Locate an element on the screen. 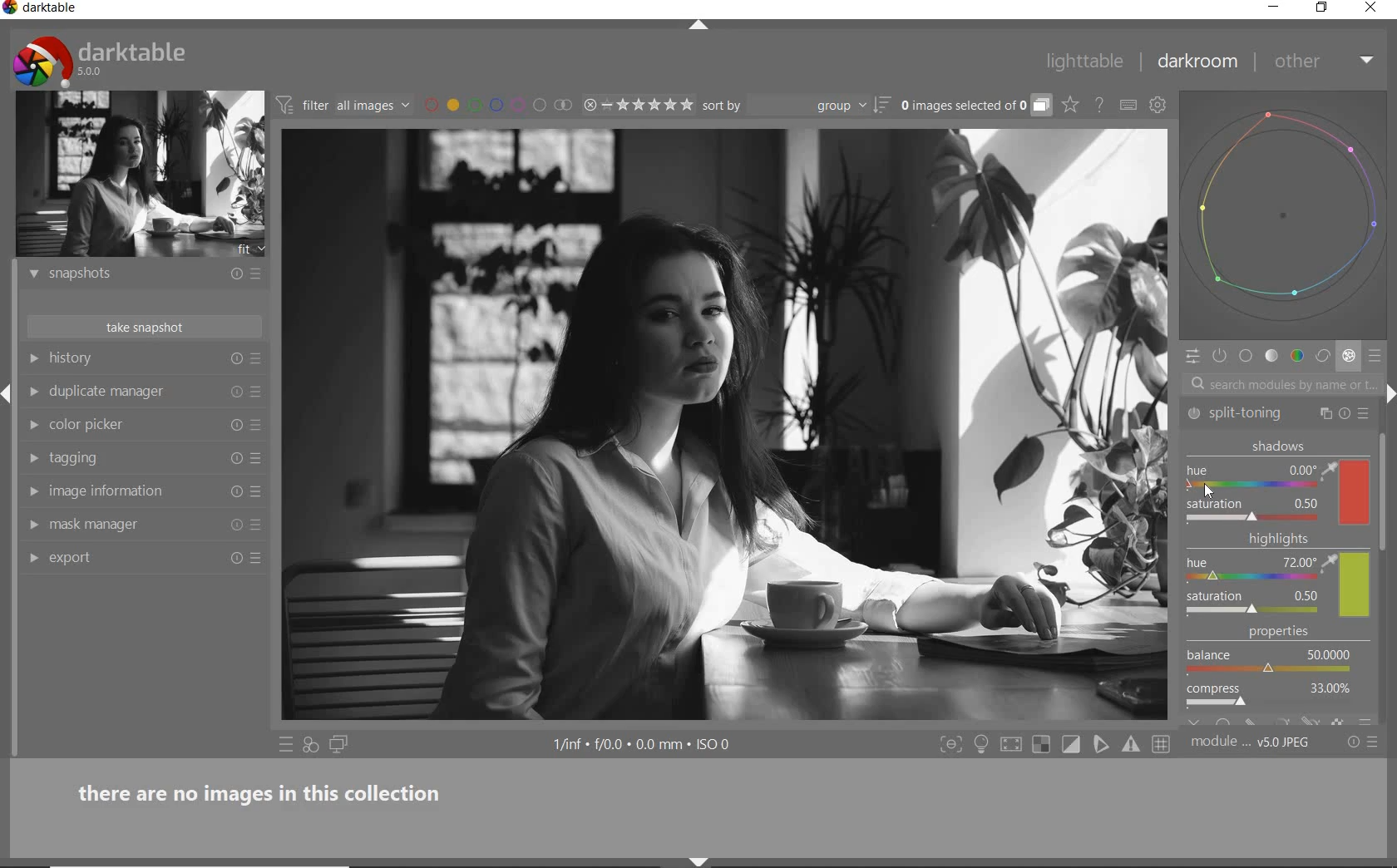 The image size is (1397, 868). correct is located at coordinates (1323, 357).